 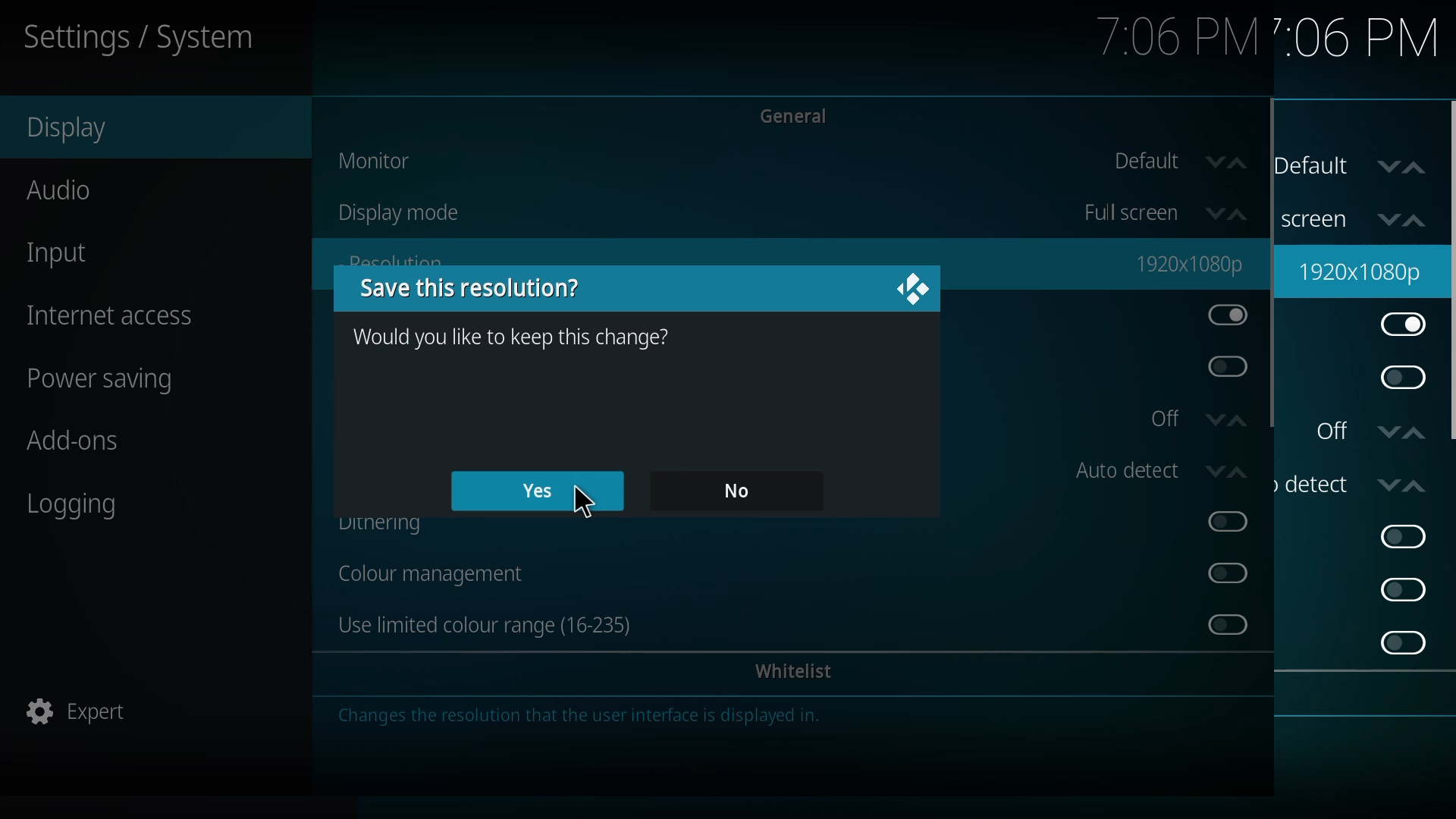 What do you see at coordinates (82, 196) in the screenshot?
I see `audio` at bounding box center [82, 196].